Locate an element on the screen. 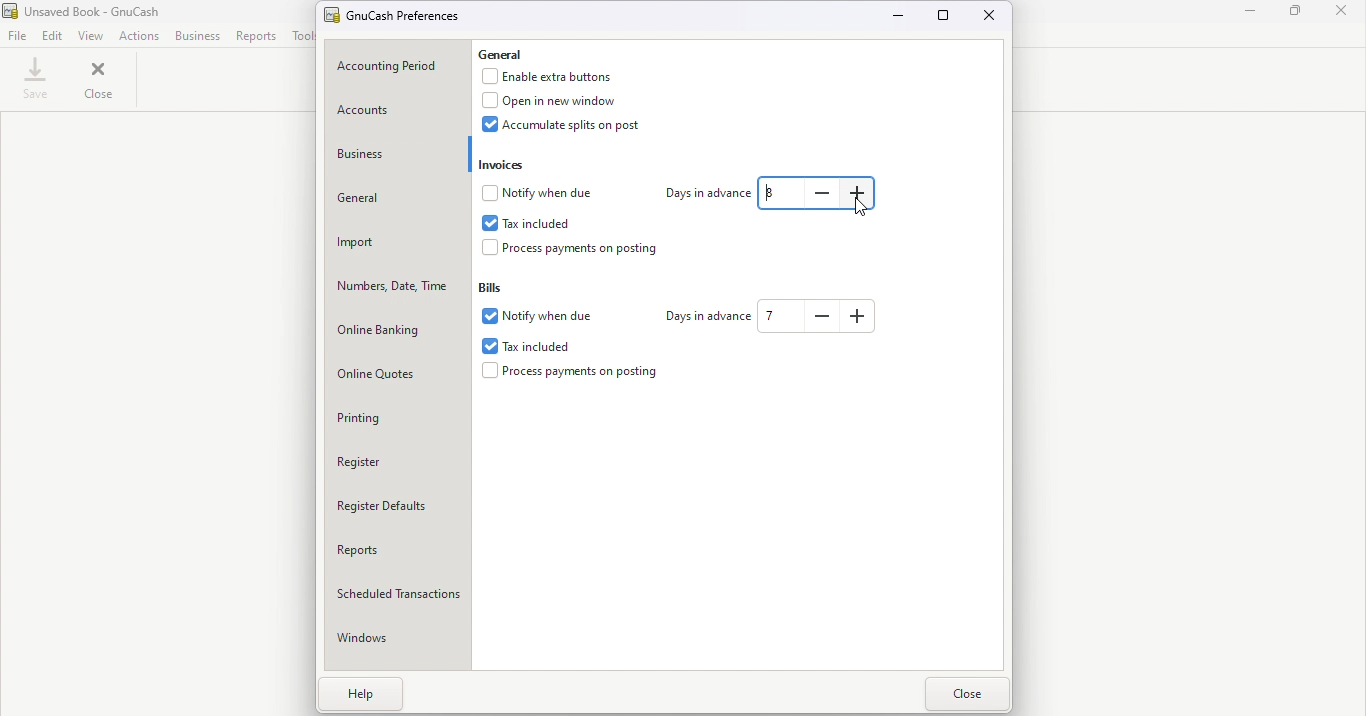 This screenshot has height=716, width=1366. Accounts is located at coordinates (396, 109).